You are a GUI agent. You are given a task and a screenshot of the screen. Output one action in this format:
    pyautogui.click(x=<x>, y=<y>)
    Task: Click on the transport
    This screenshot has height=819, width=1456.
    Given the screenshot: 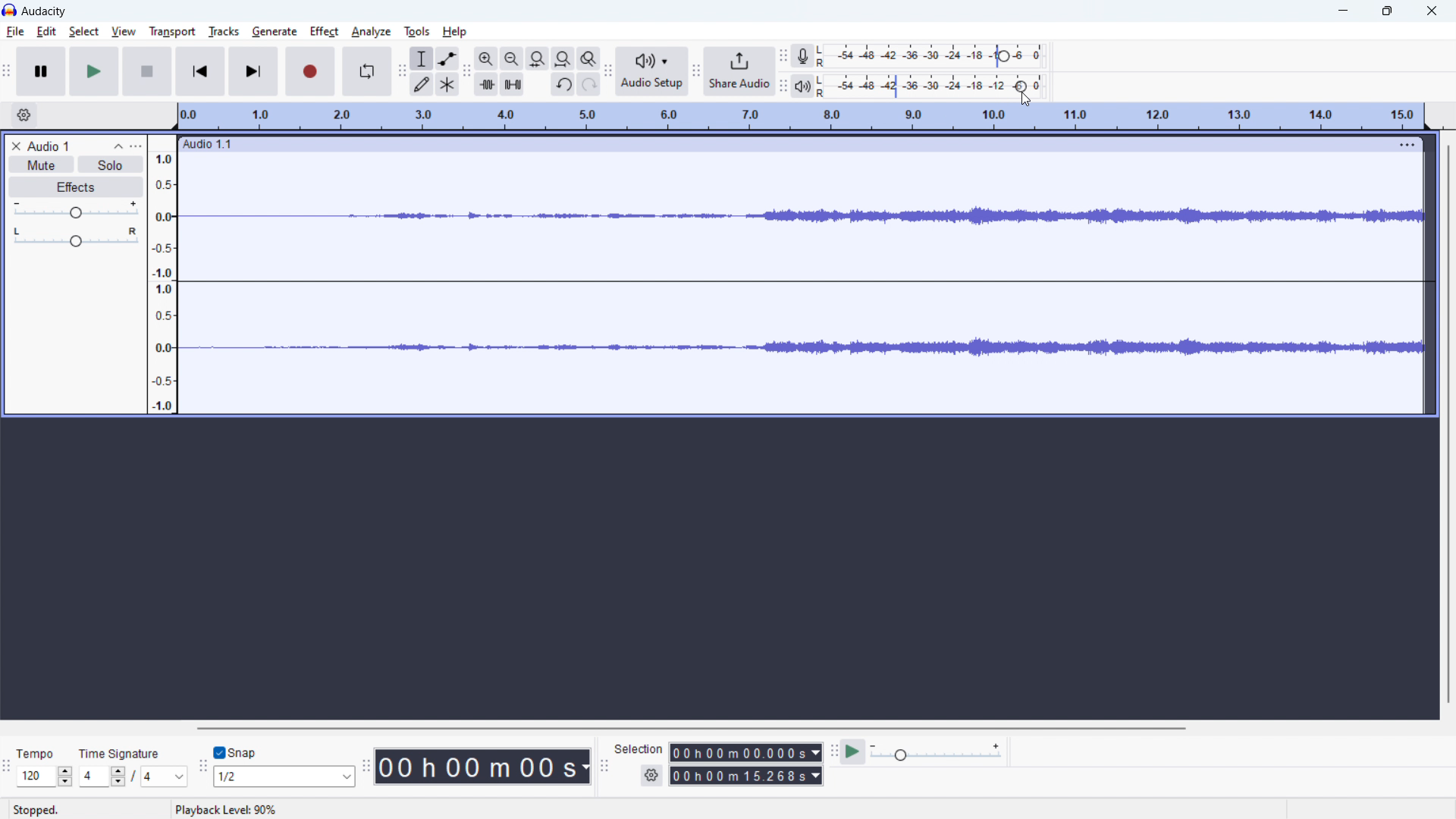 What is the action you would take?
    pyautogui.click(x=173, y=32)
    